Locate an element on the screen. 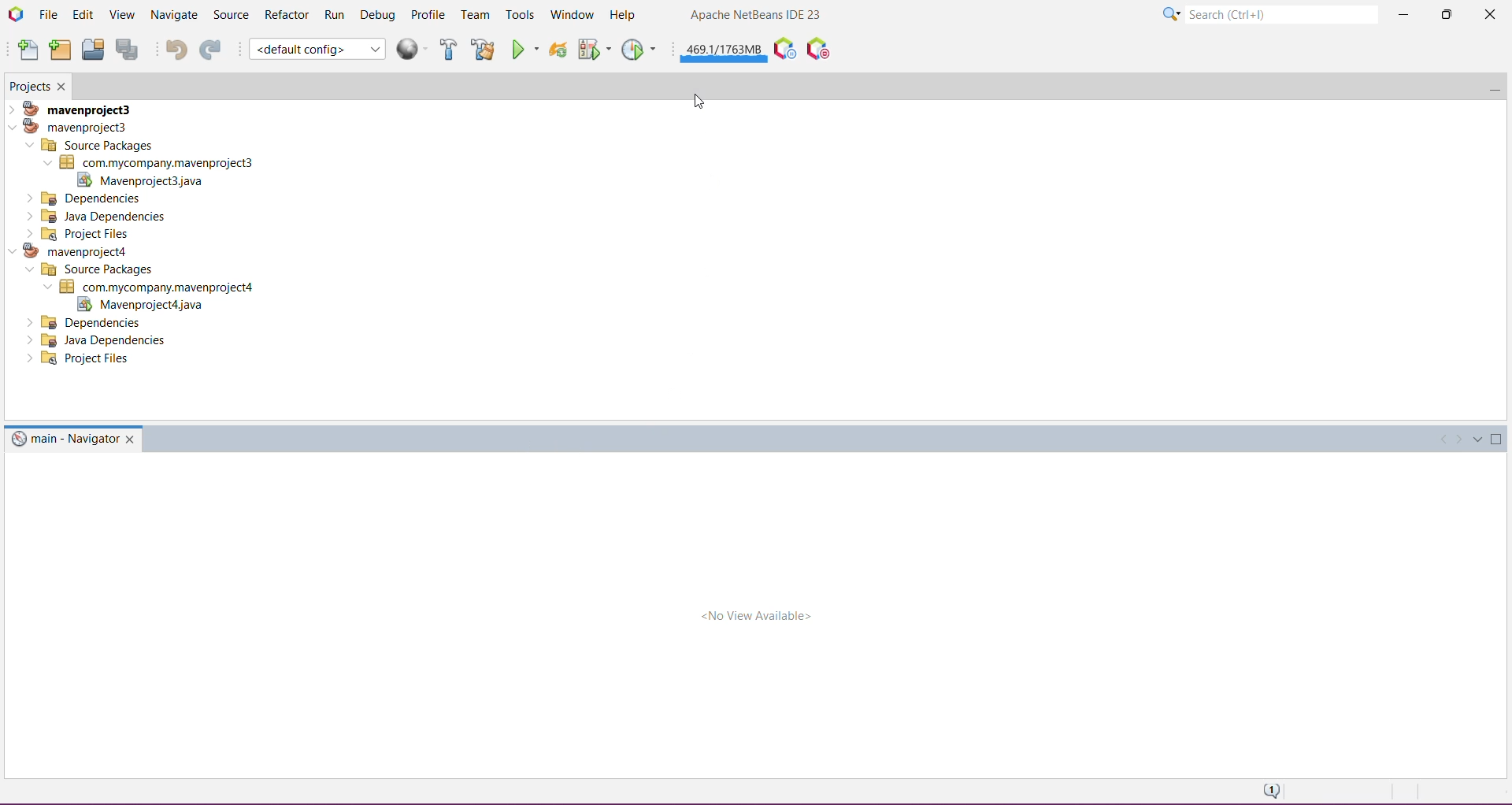 This screenshot has width=1512, height=805. File is located at coordinates (48, 14).